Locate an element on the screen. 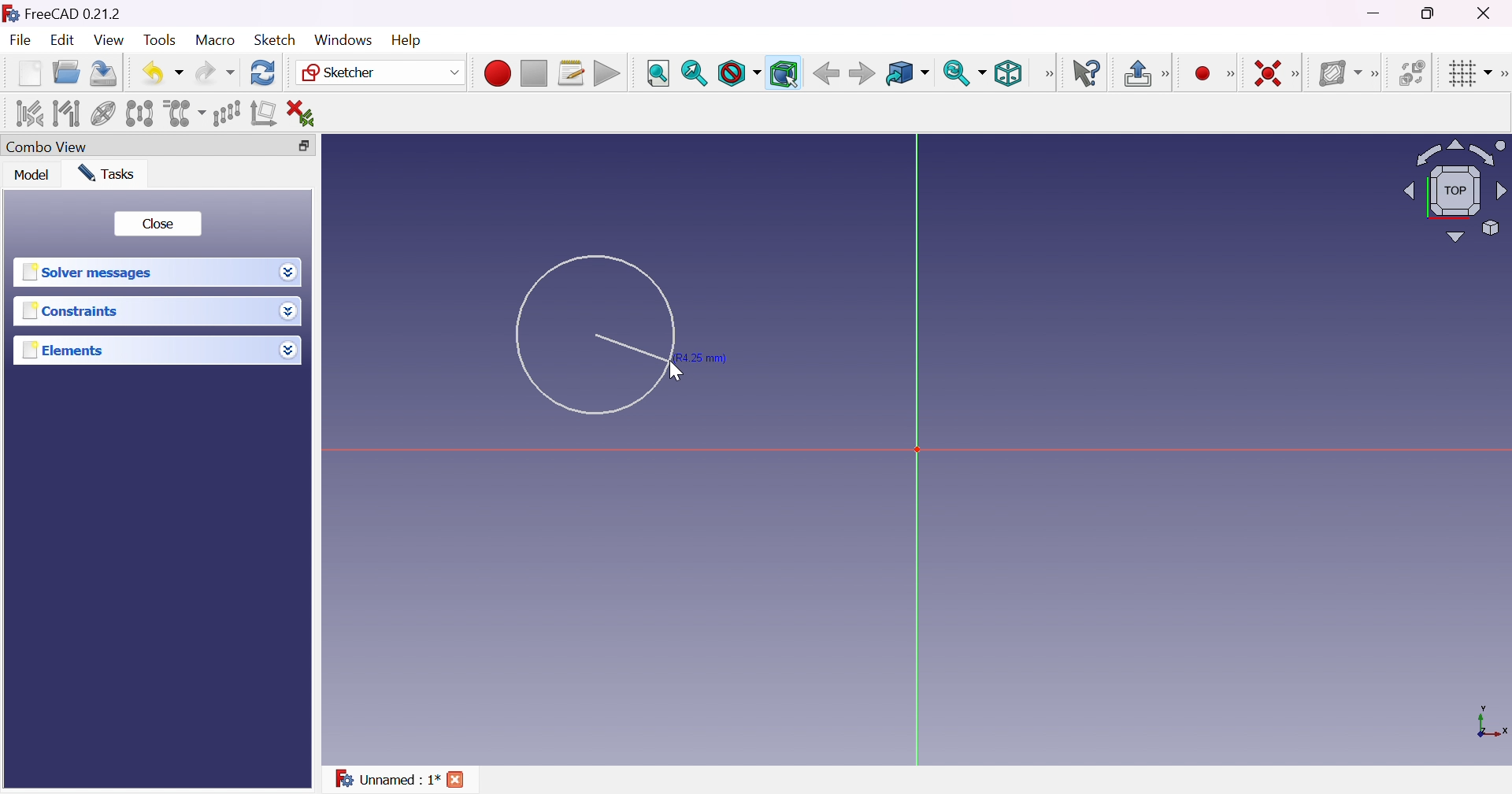 This screenshot has width=1512, height=794. Sketch is located at coordinates (276, 39).